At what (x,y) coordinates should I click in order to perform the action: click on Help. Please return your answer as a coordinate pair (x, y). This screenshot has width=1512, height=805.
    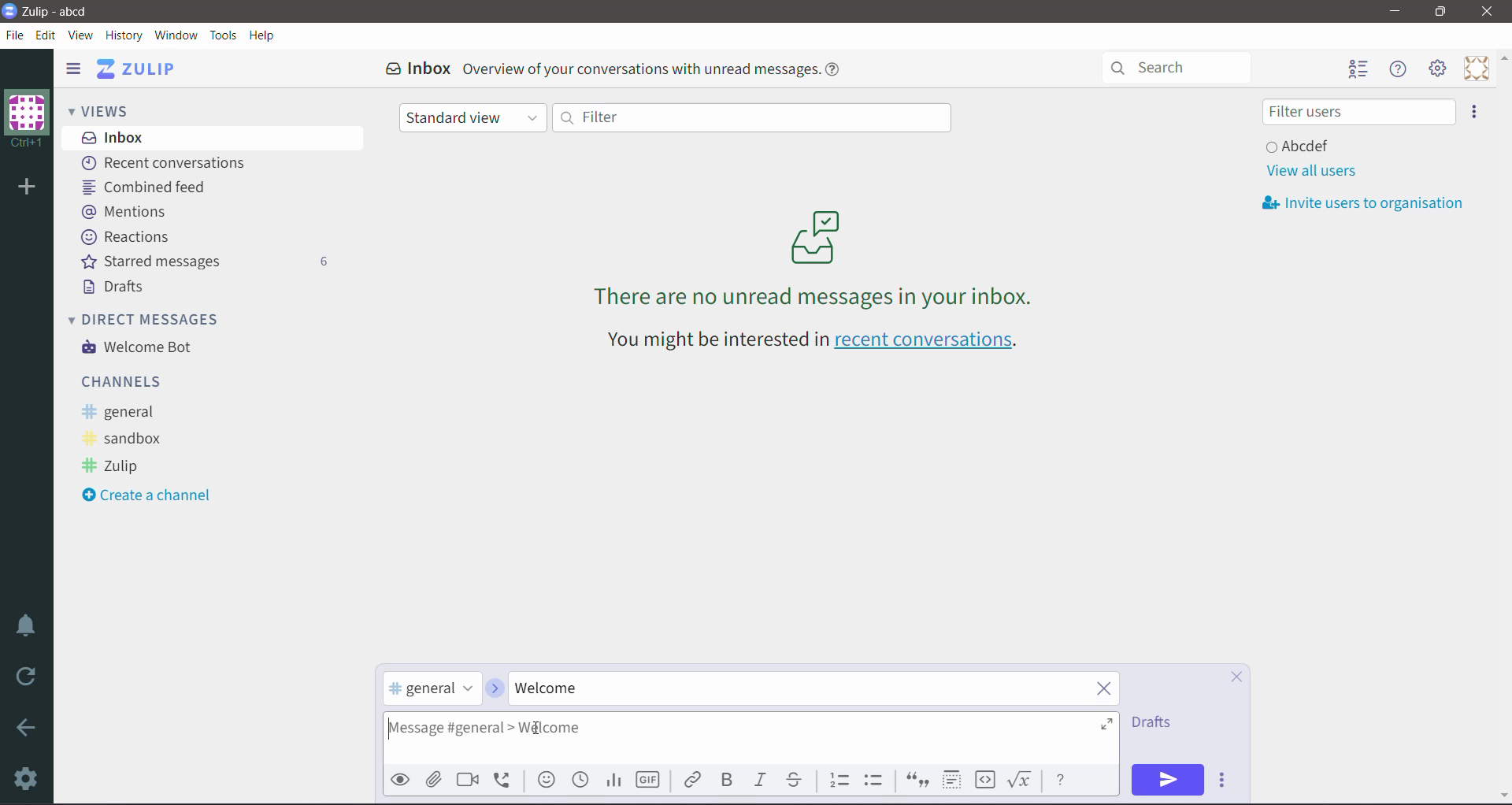
    Looking at the image, I should click on (262, 35).